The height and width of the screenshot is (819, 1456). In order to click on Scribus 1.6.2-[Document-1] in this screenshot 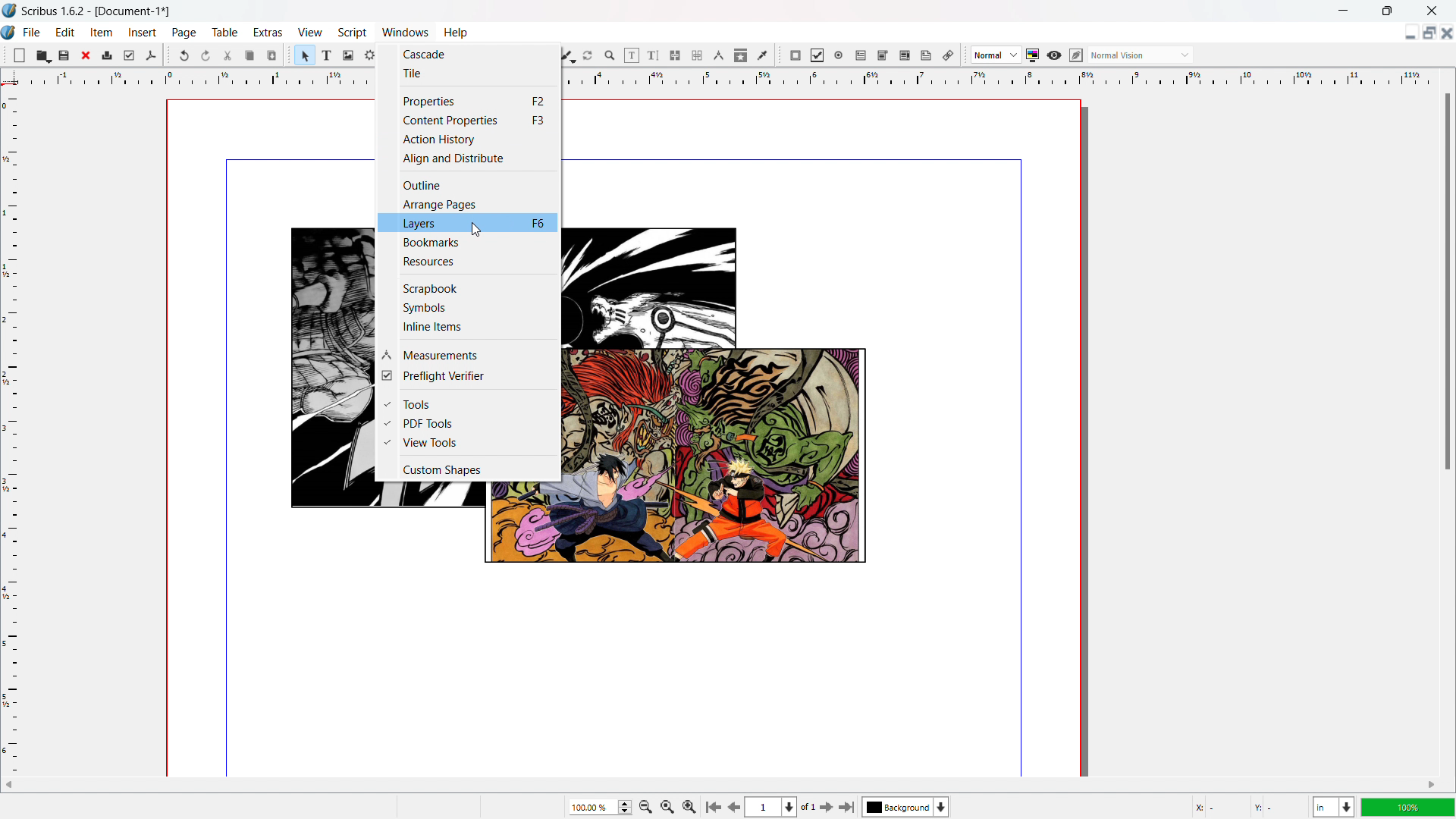, I will do `click(102, 10)`.